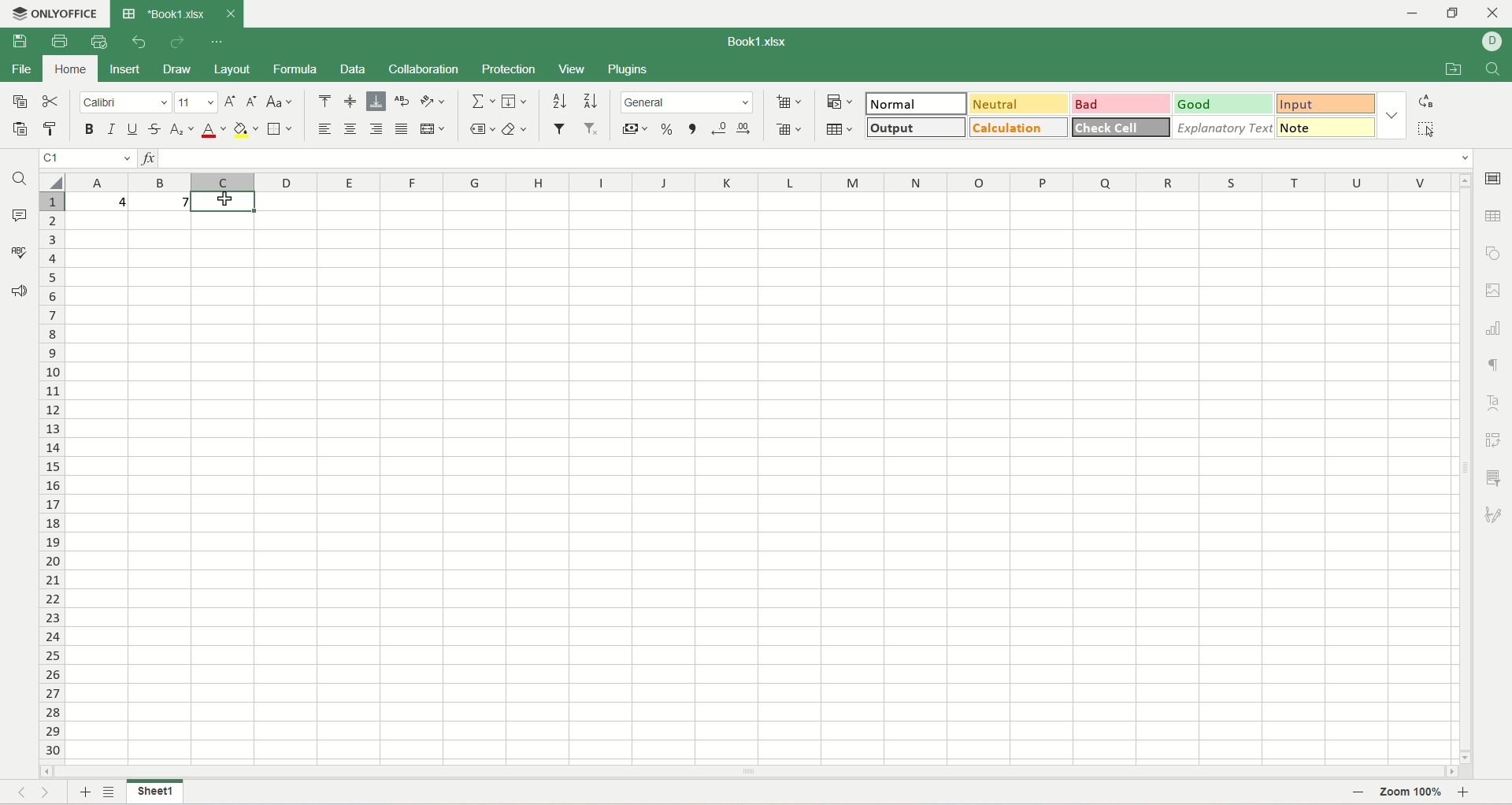 The width and height of the screenshot is (1512, 805). What do you see at coordinates (1494, 14) in the screenshot?
I see `close` at bounding box center [1494, 14].